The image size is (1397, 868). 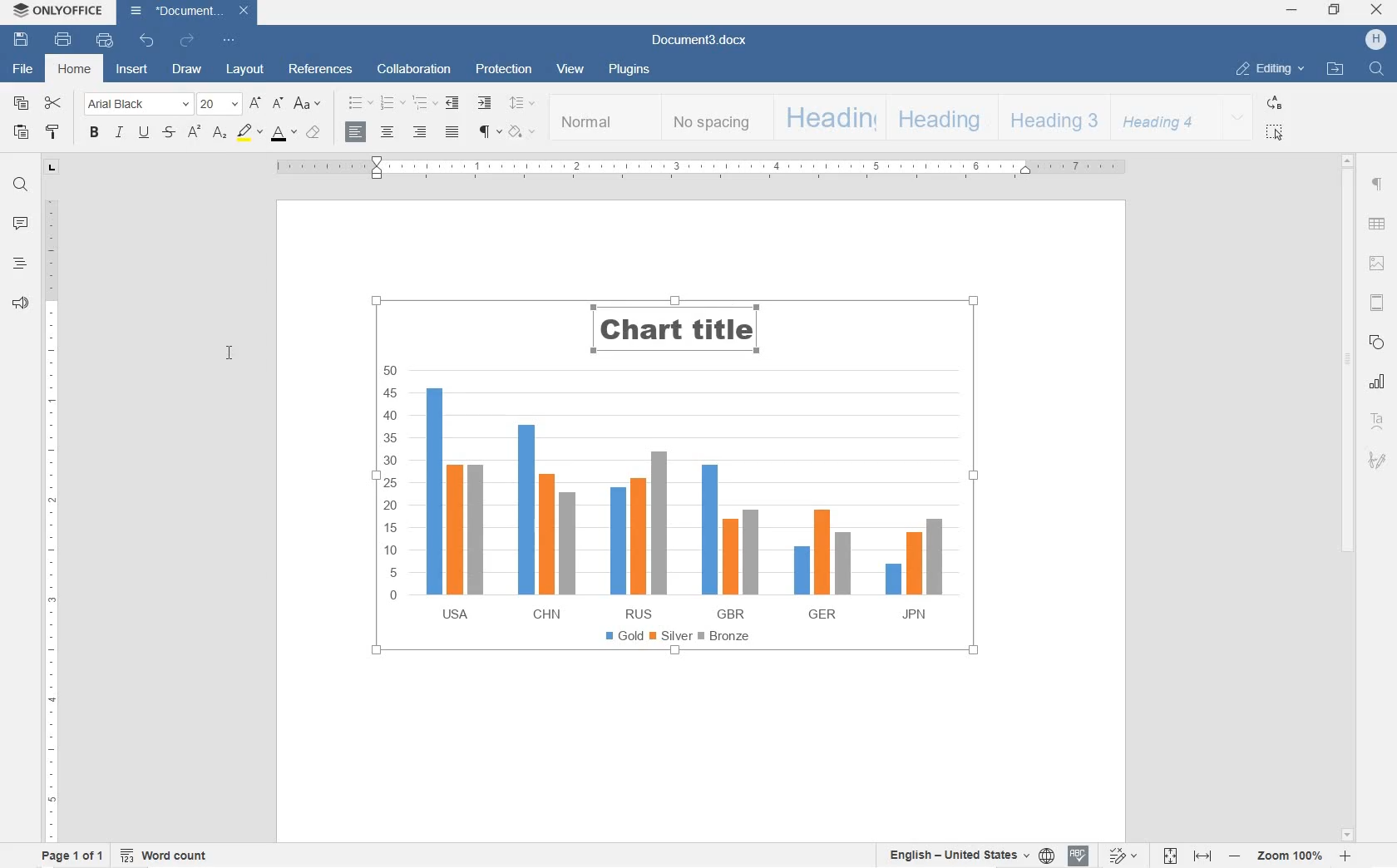 What do you see at coordinates (1161, 117) in the screenshot?
I see `HEADING 4` at bounding box center [1161, 117].